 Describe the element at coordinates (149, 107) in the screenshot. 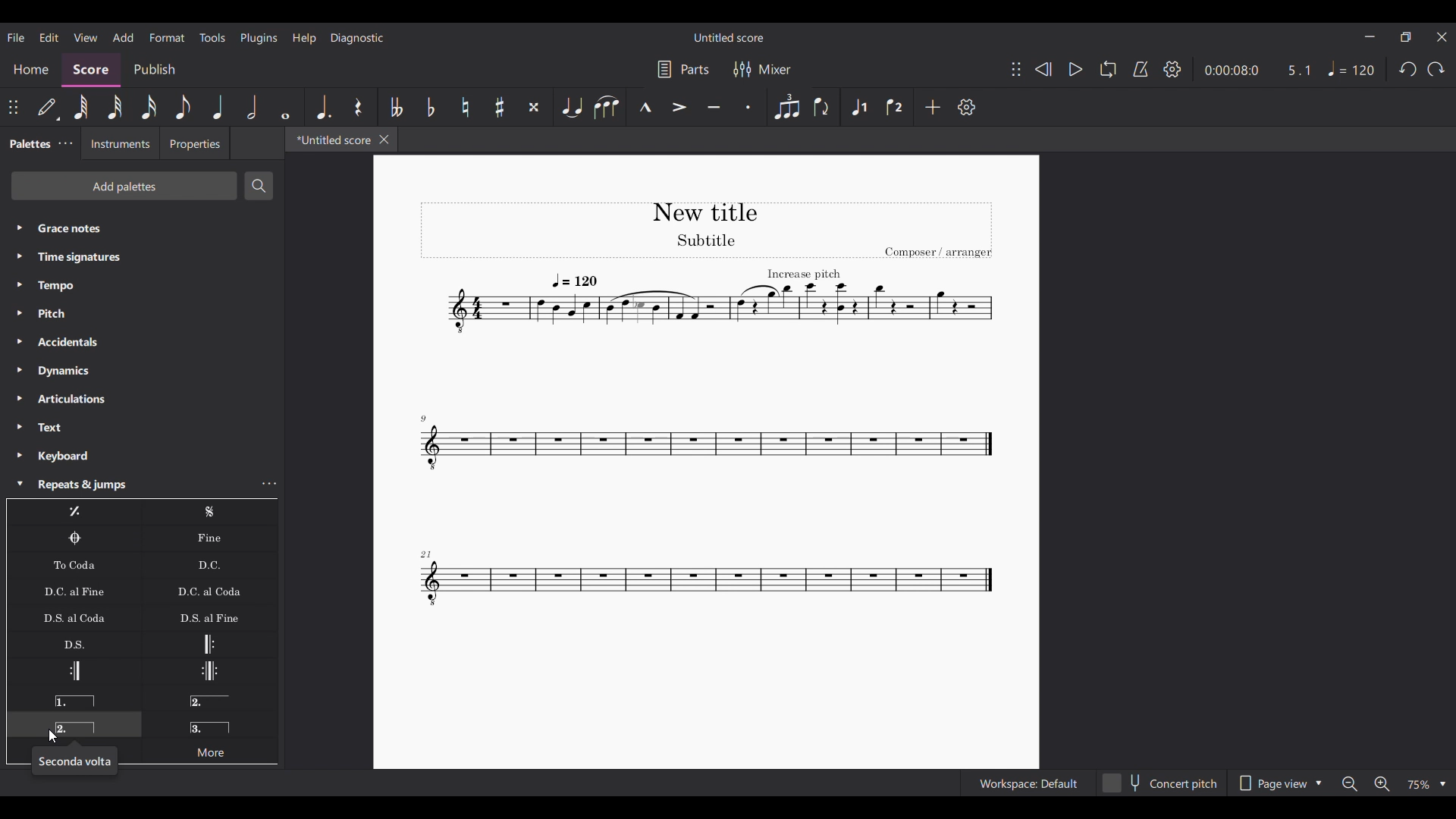

I see `16th note` at that location.